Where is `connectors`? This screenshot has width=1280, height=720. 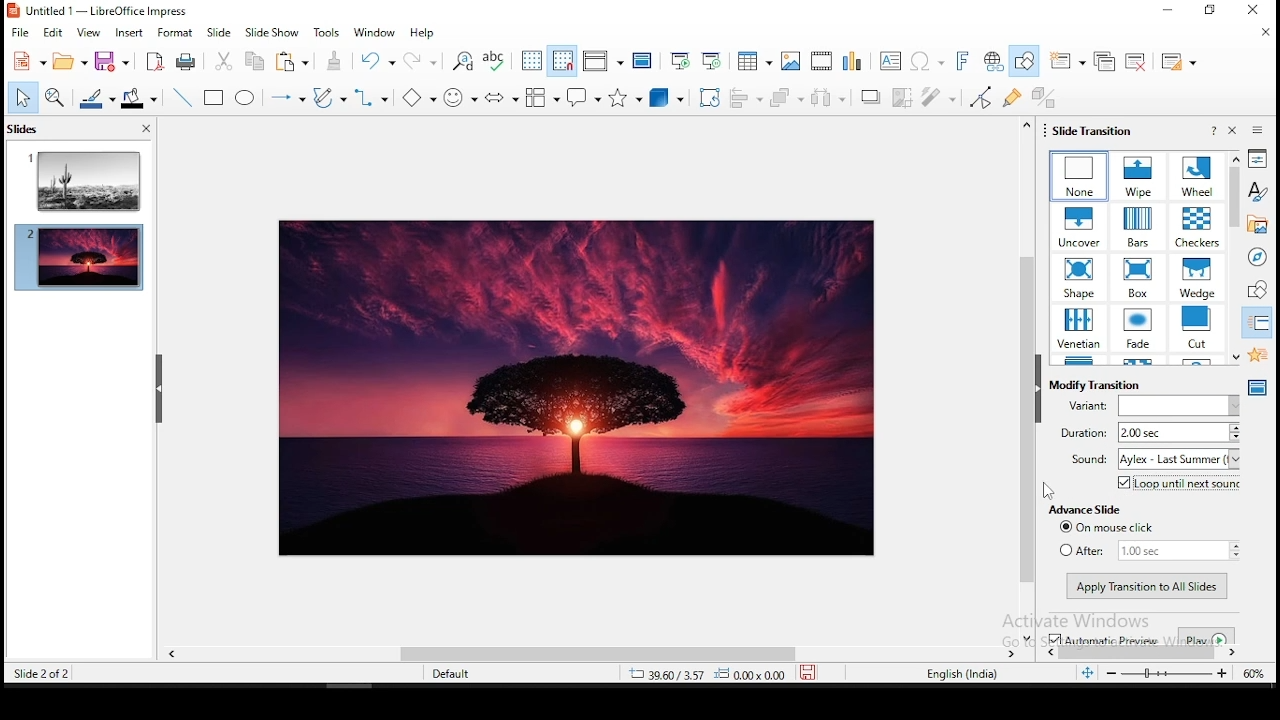
connectors is located at coordinates (372, 99).